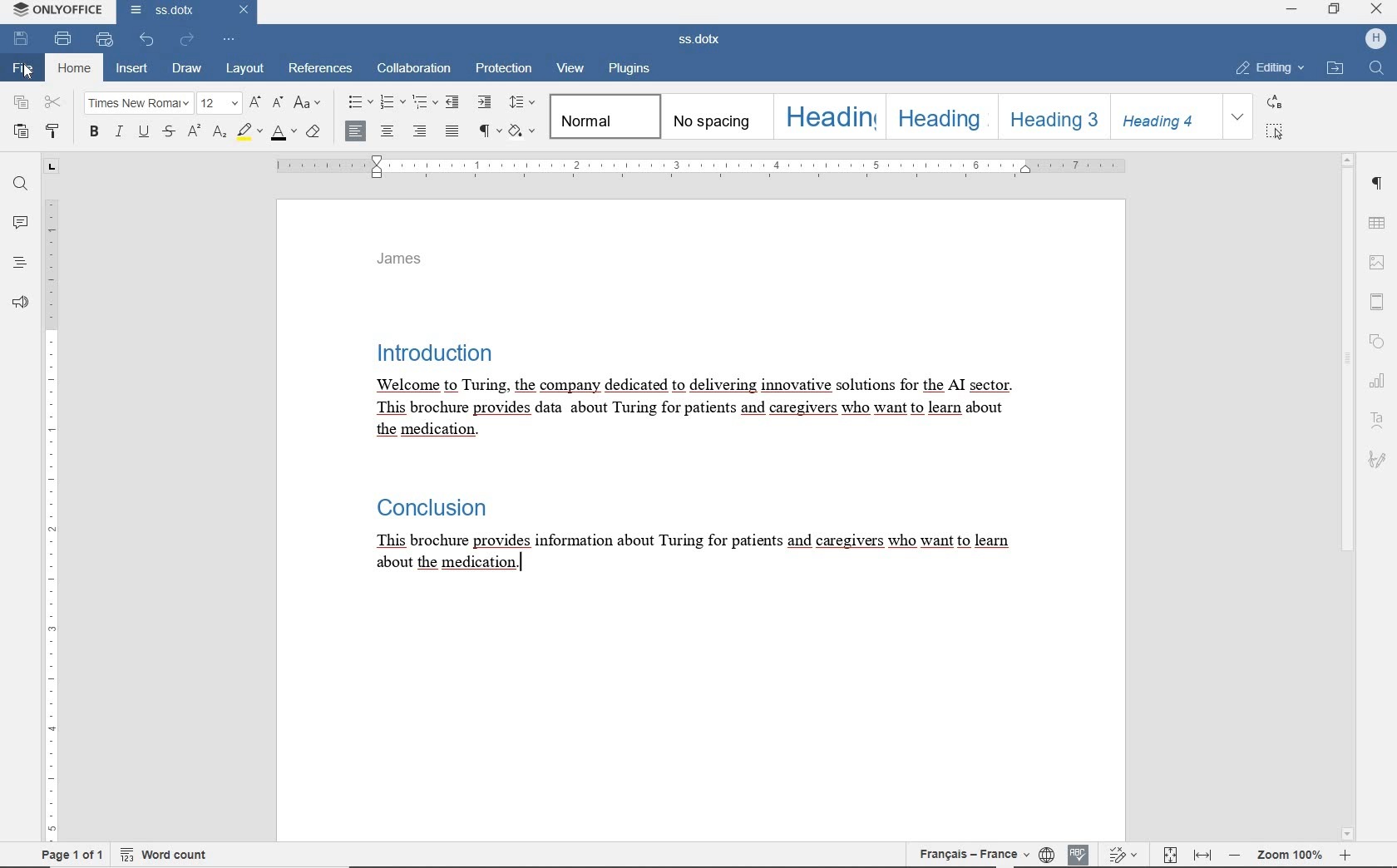 The image size is (1397, 868). Describe the element at coordinates (118, 133) in the screenshot. I see `ITALIC` at that location.